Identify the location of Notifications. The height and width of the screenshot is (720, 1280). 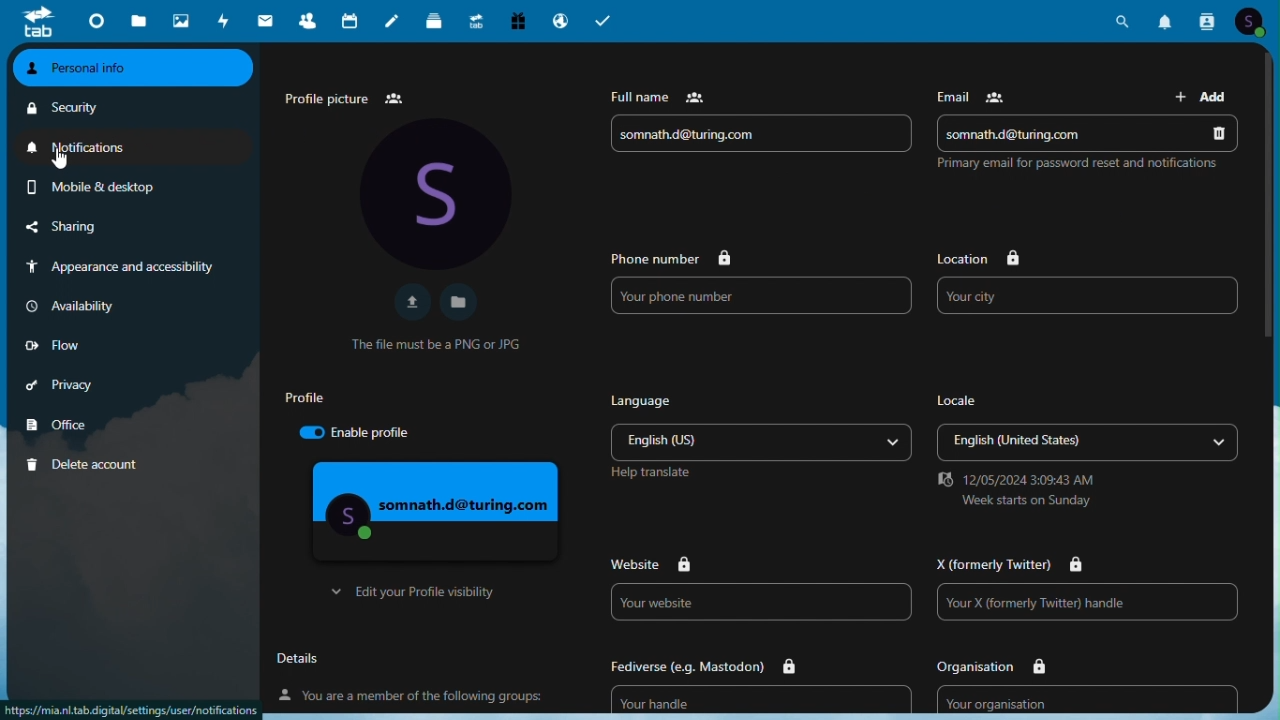
(127, 146).